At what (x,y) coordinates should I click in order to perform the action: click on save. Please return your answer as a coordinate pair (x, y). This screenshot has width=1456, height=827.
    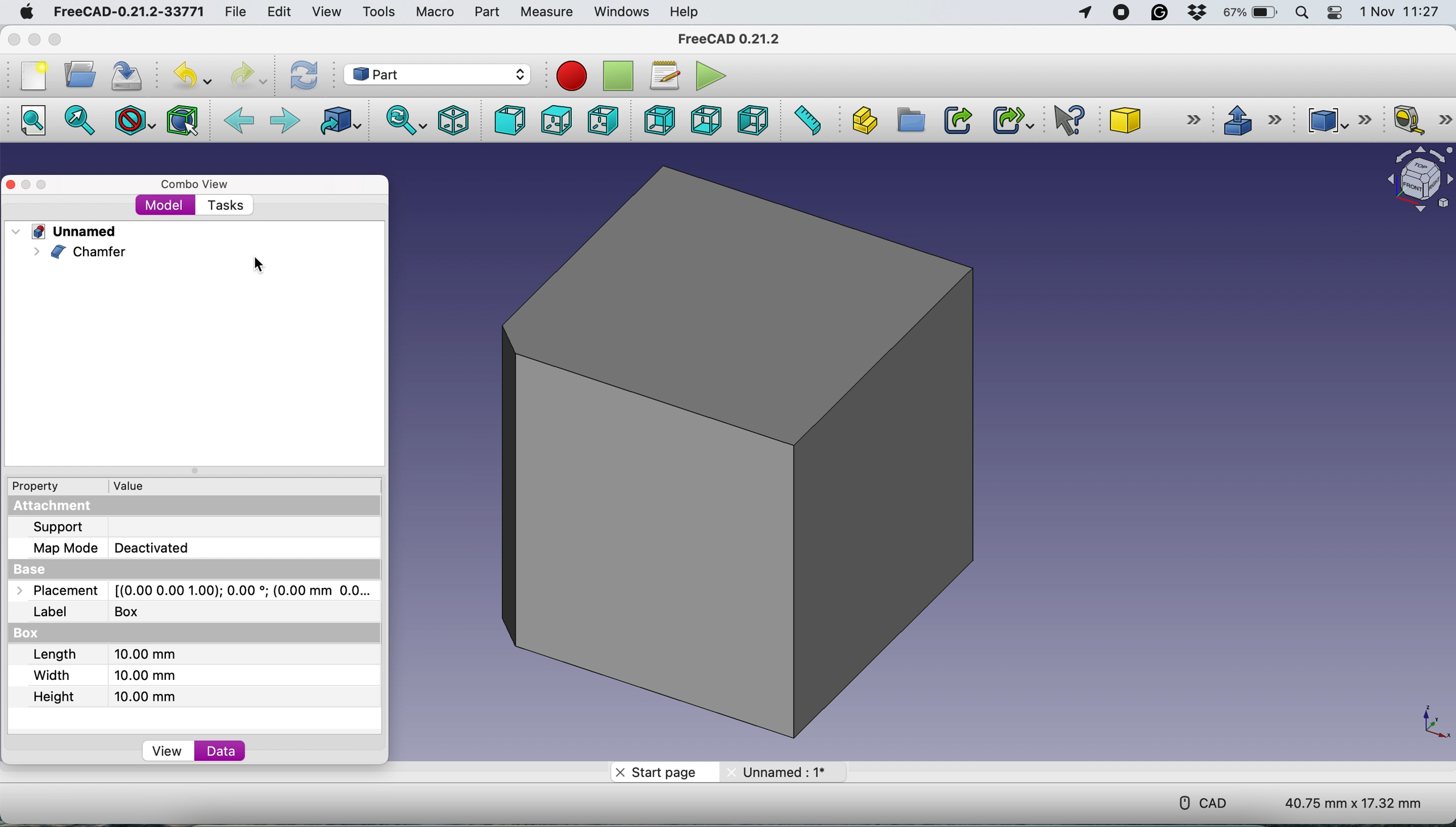
    Looking at the image, I should click on (133, 78).